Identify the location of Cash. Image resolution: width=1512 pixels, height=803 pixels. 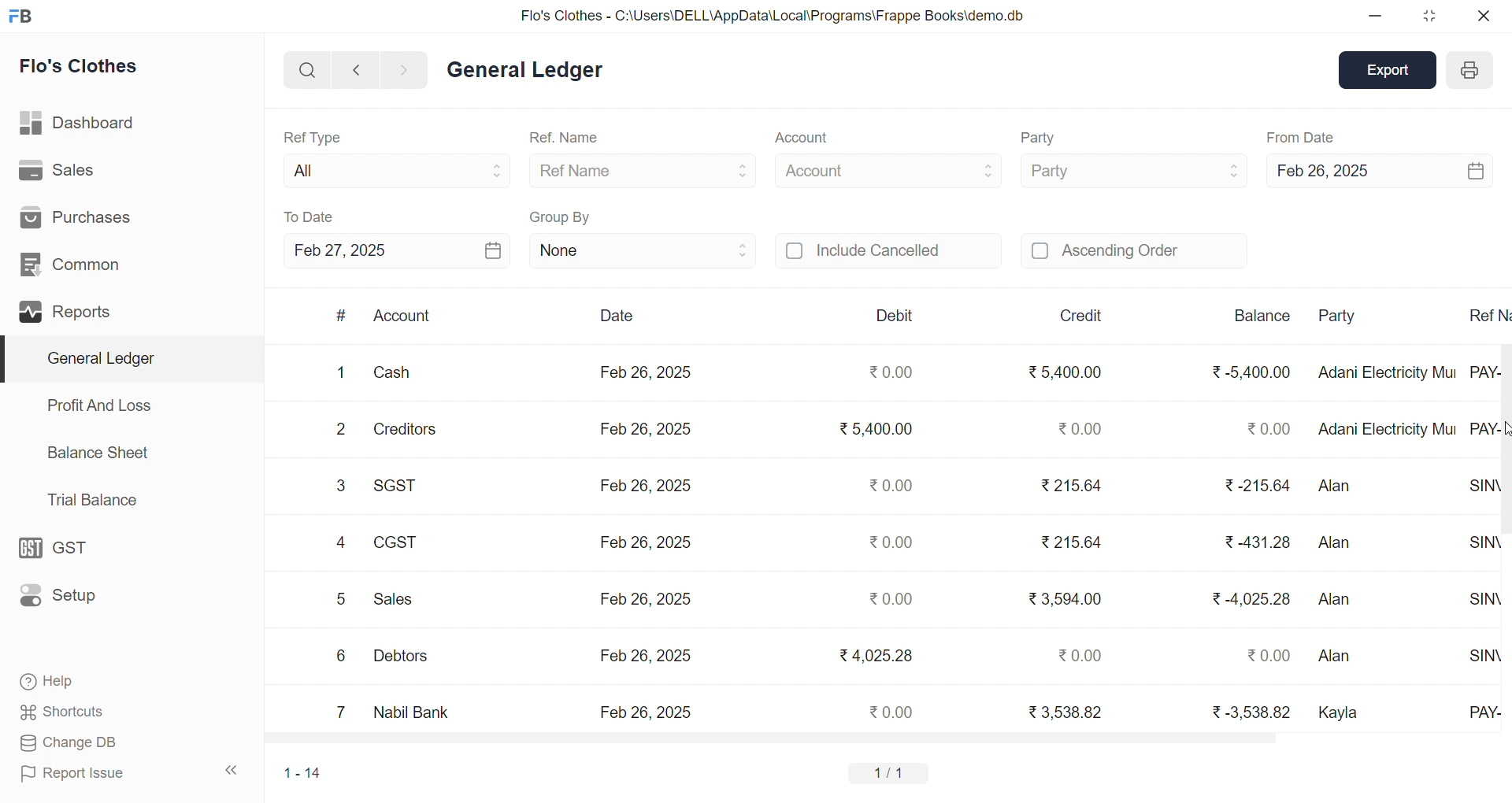
(402, 370).